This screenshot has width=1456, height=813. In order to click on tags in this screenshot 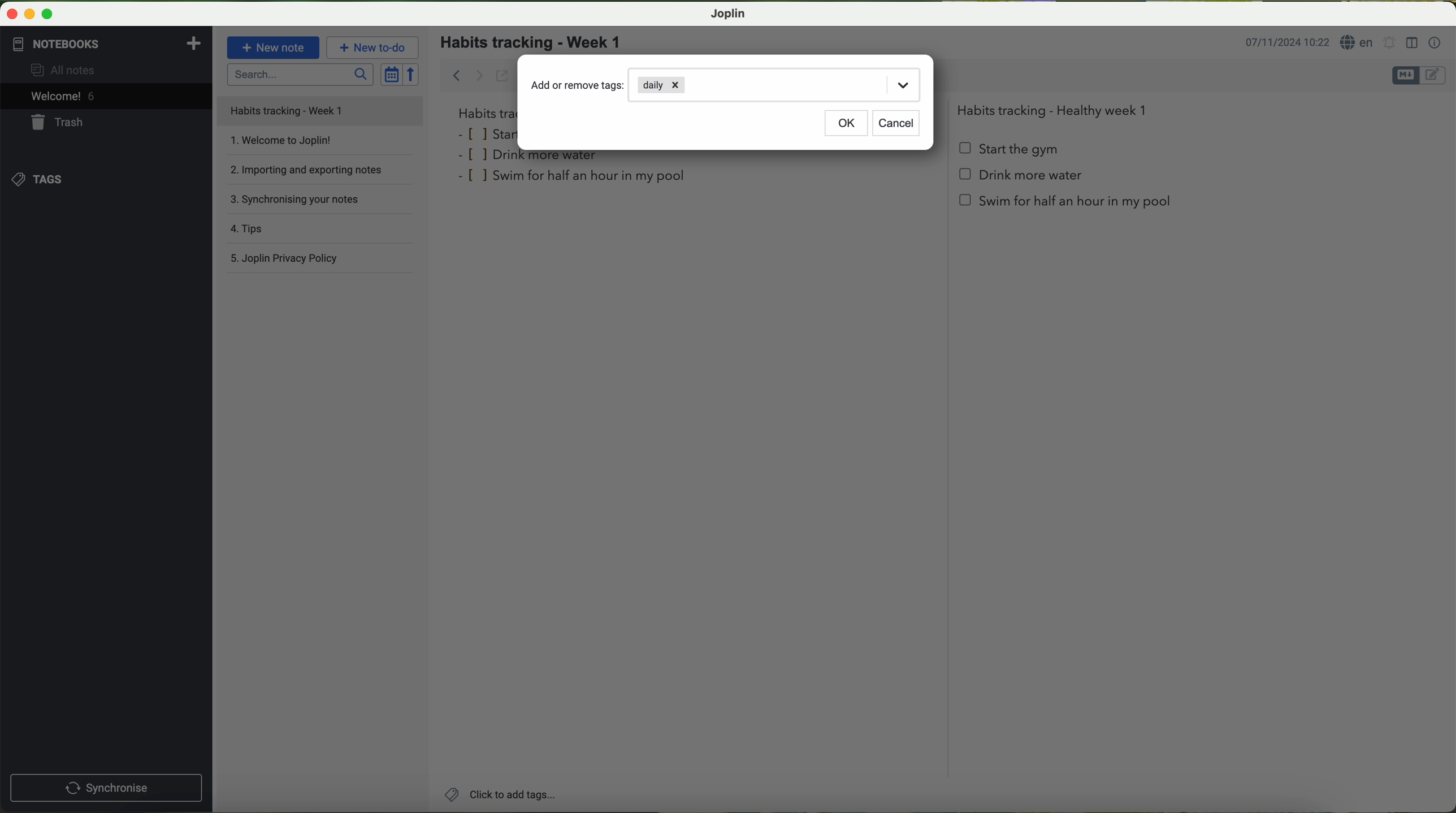, I will do `click(38, 180)`.